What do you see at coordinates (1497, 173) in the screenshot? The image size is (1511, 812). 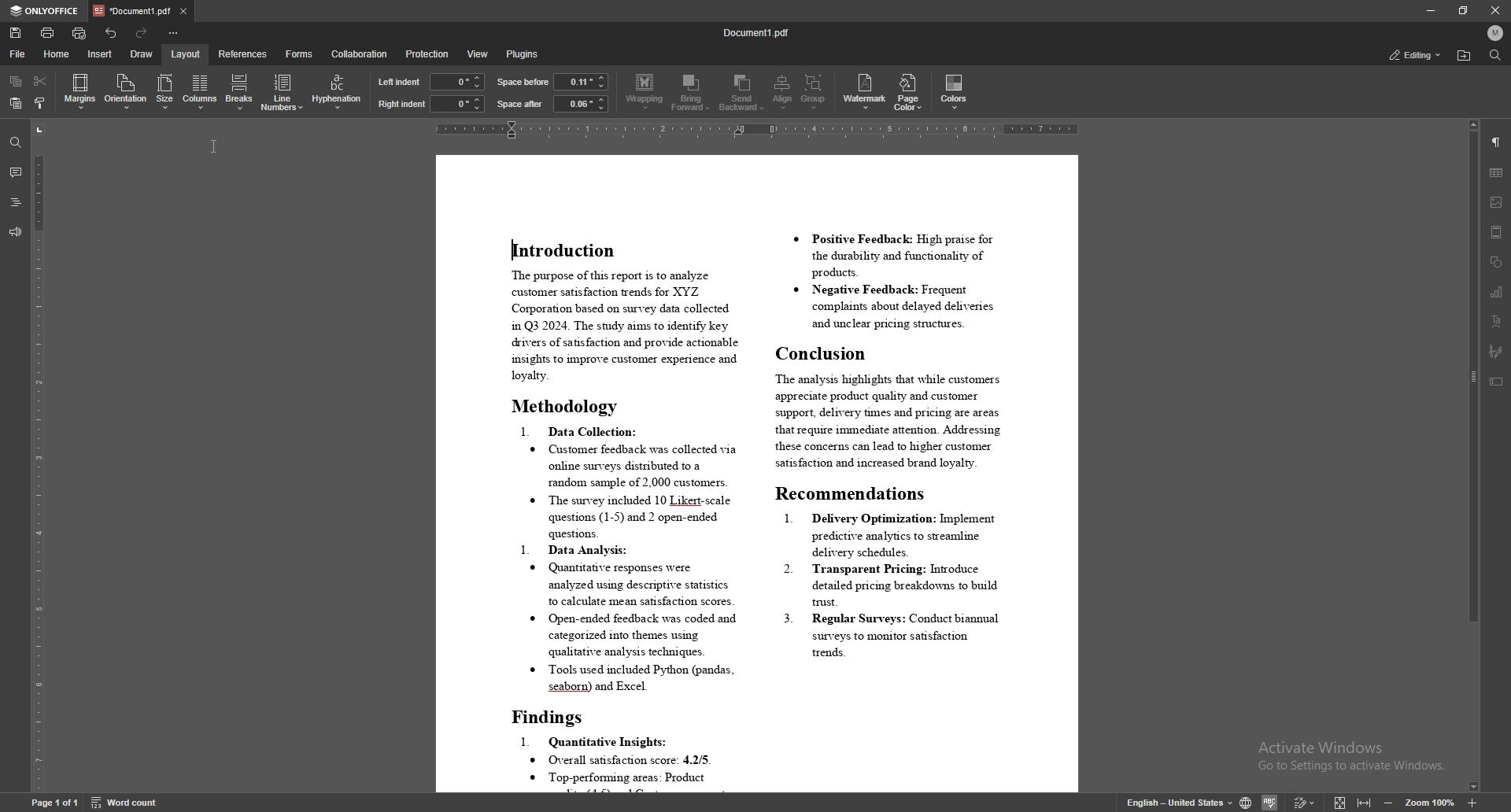 I see `table` at bounding box center [1497, 173].